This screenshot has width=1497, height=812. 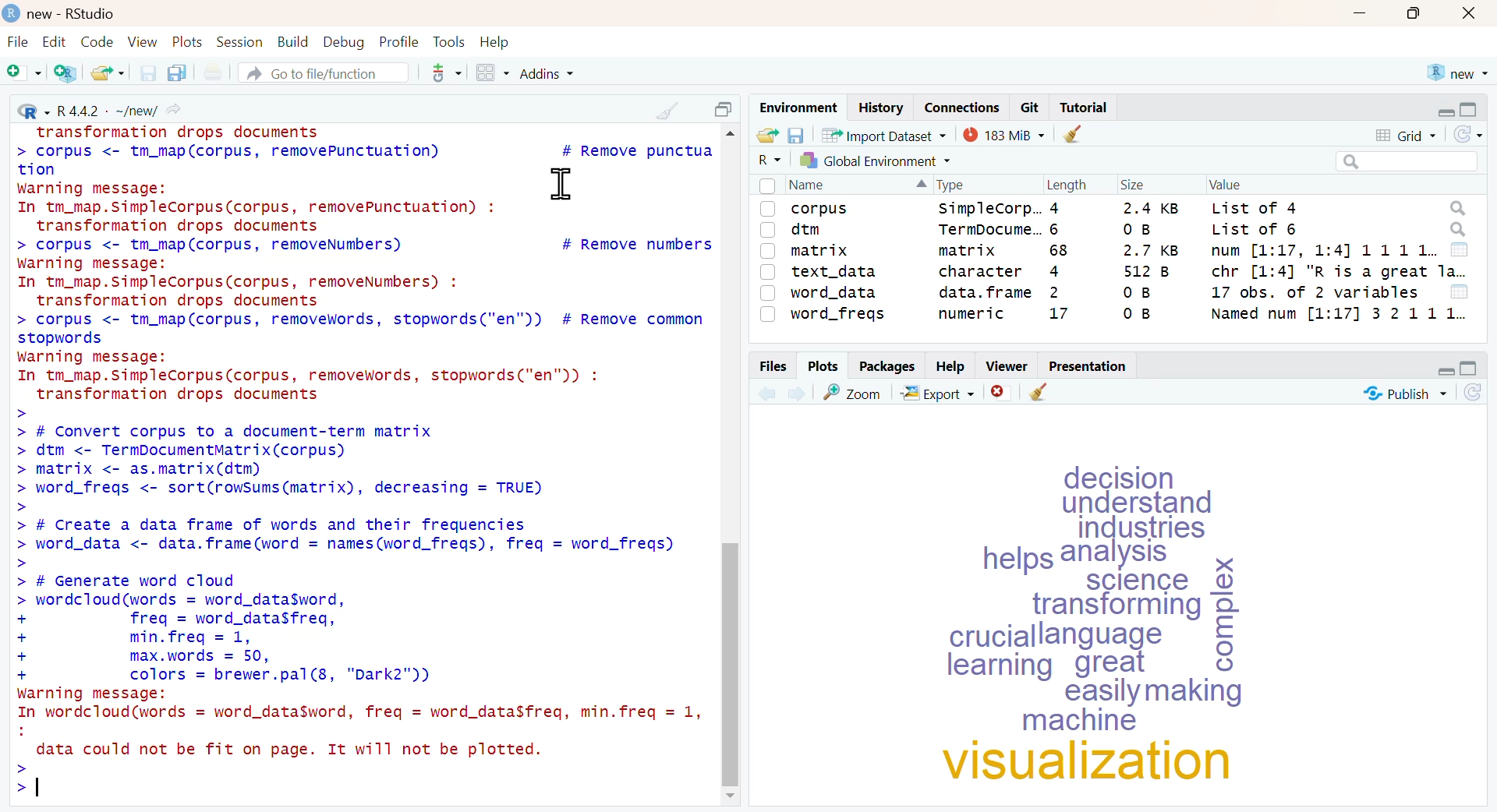 I want to click on Go to file/function, so click(x=322, y=72).